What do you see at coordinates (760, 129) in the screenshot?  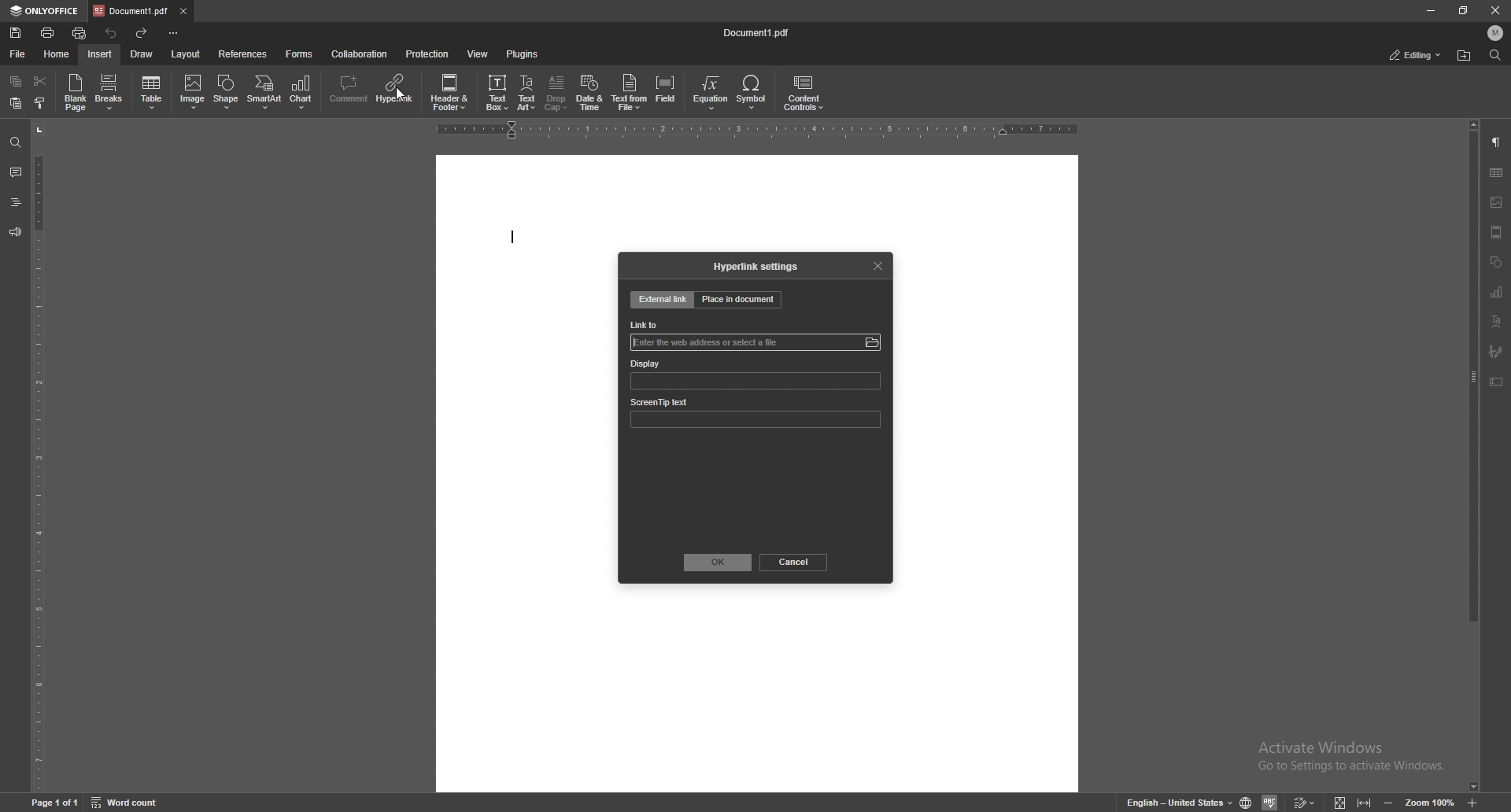 I see `horizontal scale` at bounding box center [760, 129].